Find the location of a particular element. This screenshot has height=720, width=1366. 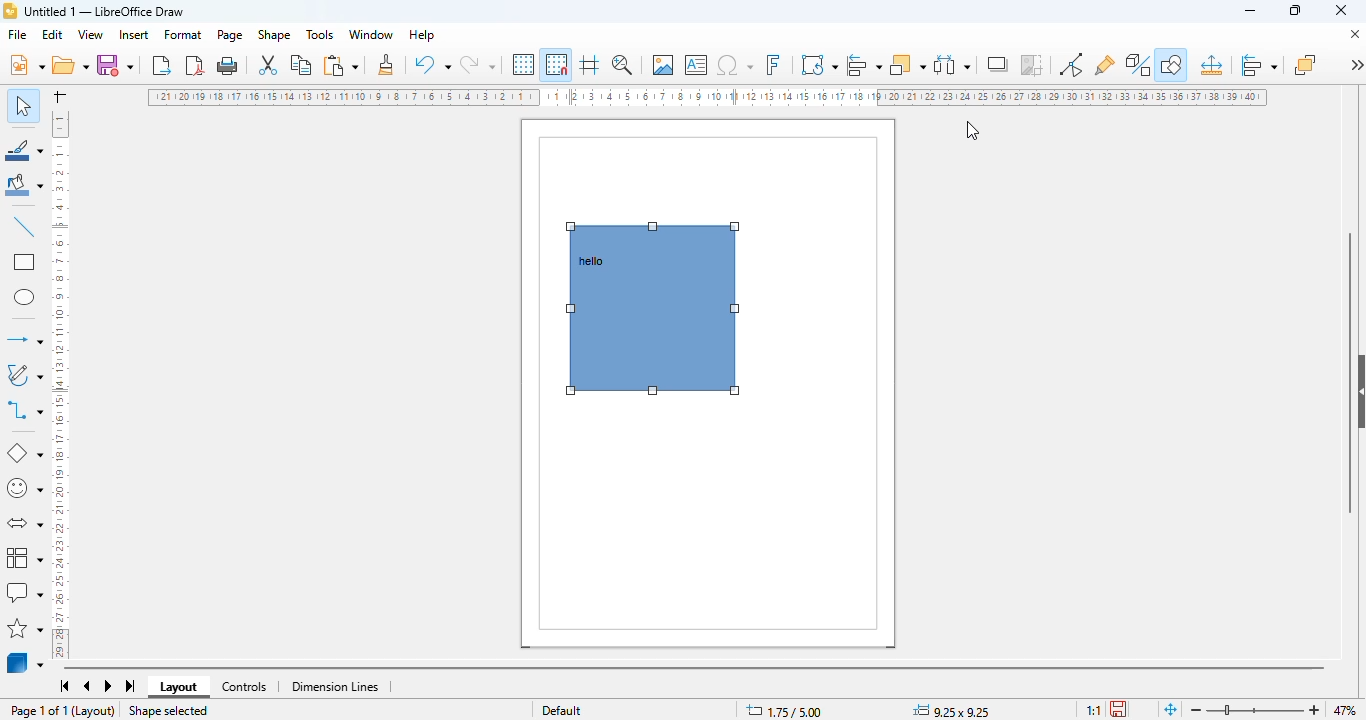

scroll to next sheet is located at coordinates (109, 687).